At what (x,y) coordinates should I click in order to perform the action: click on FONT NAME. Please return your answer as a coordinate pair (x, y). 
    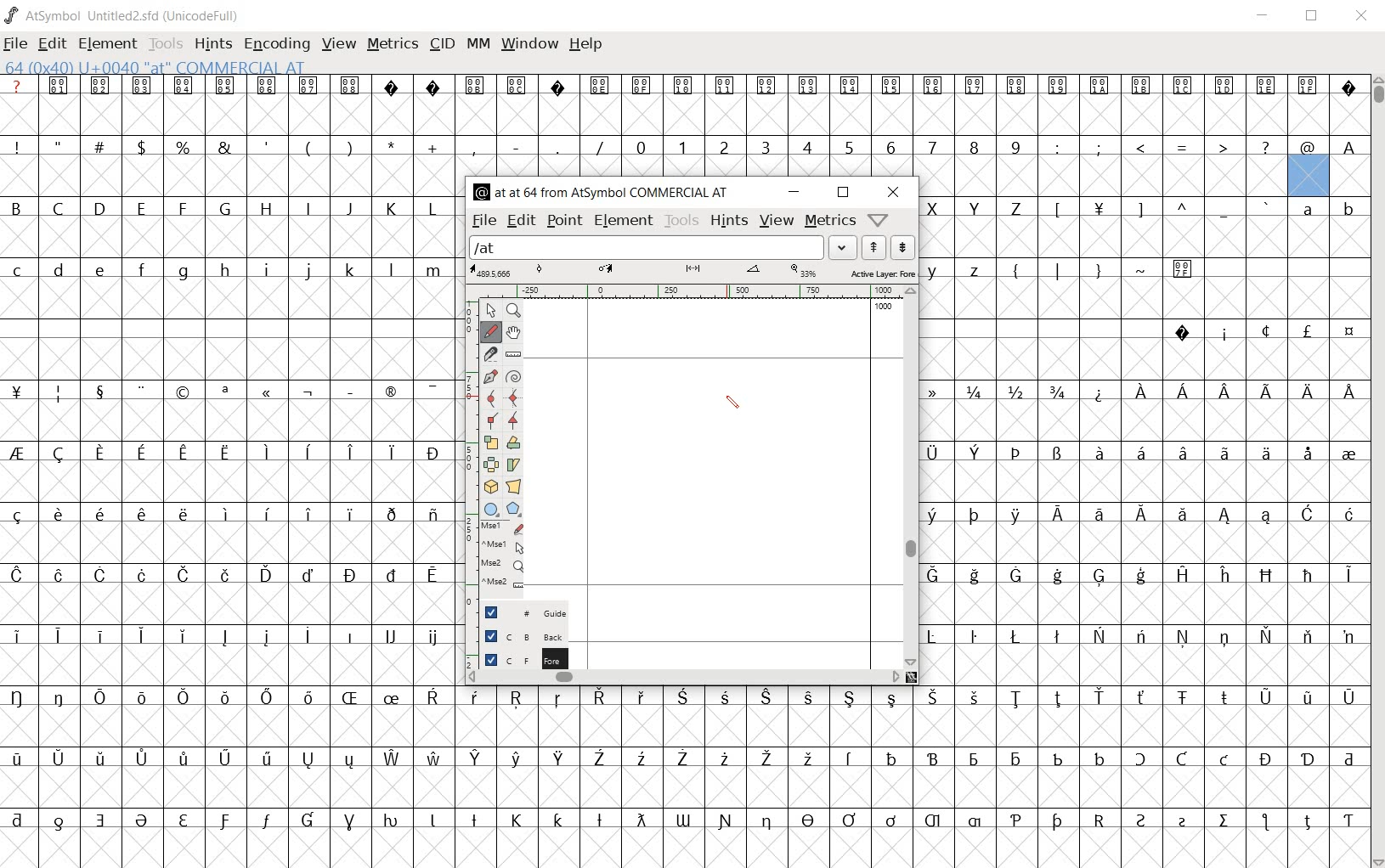
    Looking at the image, I should click on (124, 15).